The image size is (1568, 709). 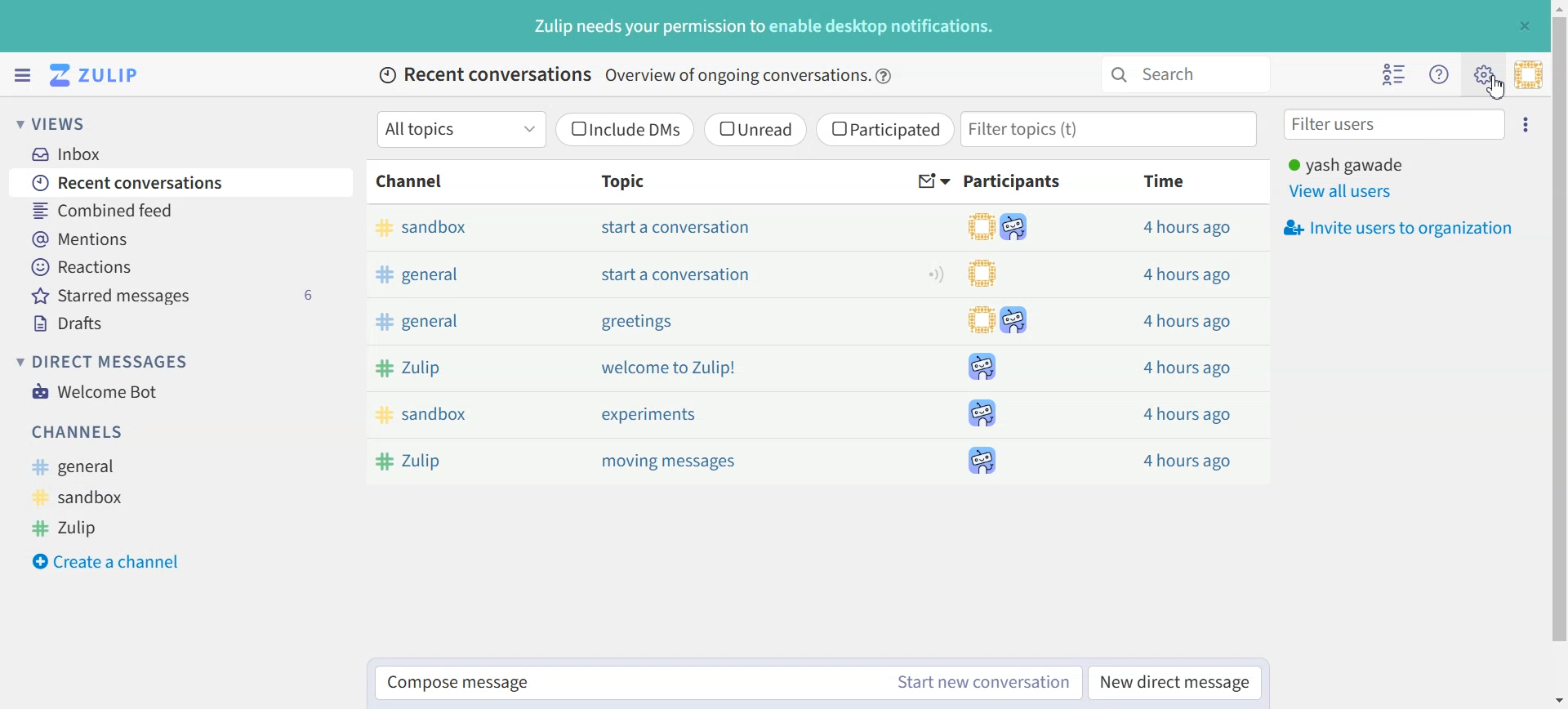 What do you see at coordinates (413, 181) in the screenshot?
I see `Channel` at bounding box center [413, 181].